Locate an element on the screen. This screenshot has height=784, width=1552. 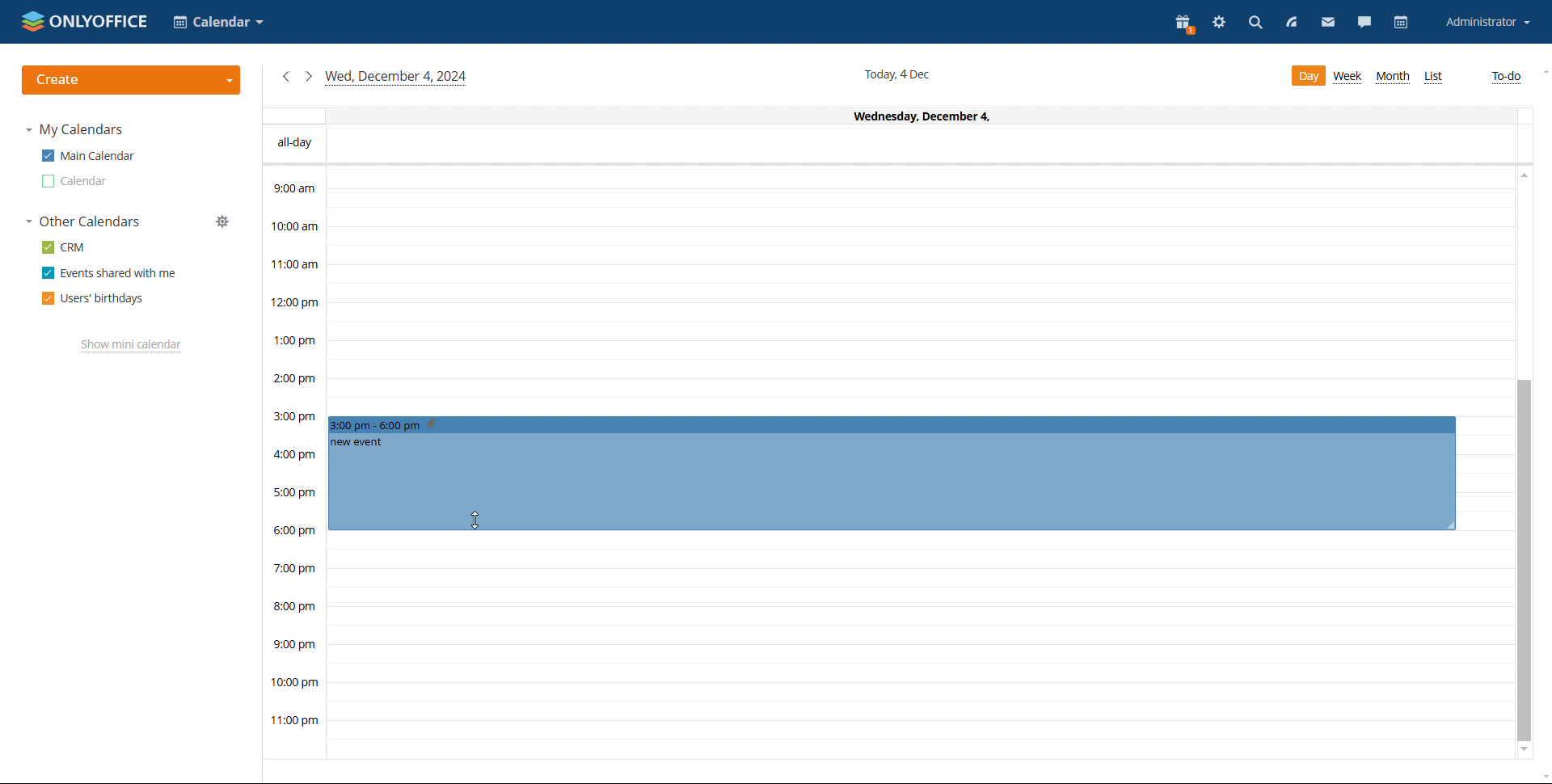
feed is located at coordinates (1289, 23).